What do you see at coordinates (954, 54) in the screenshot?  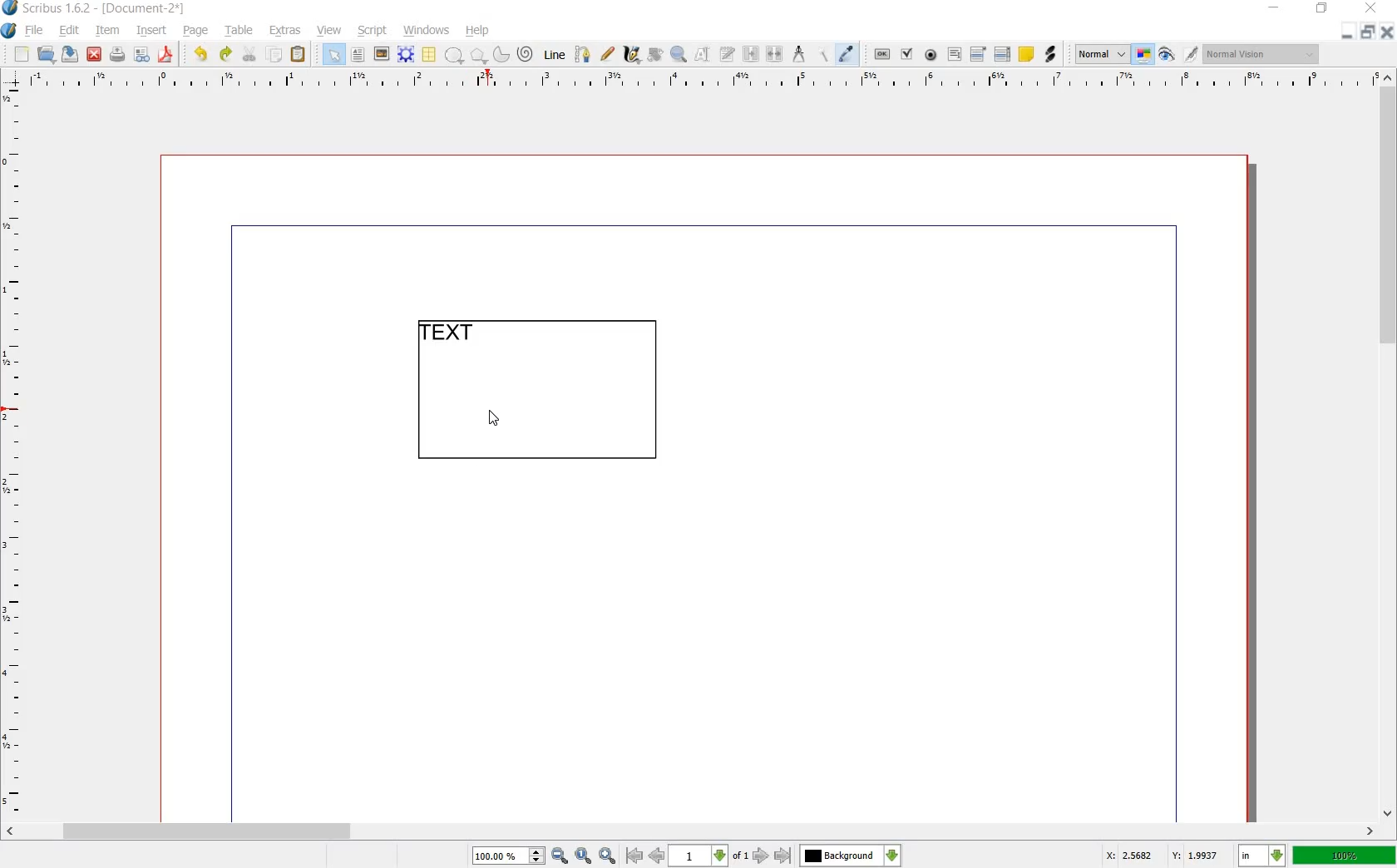 I see `pdf text field` at bounding box center [954, 54].